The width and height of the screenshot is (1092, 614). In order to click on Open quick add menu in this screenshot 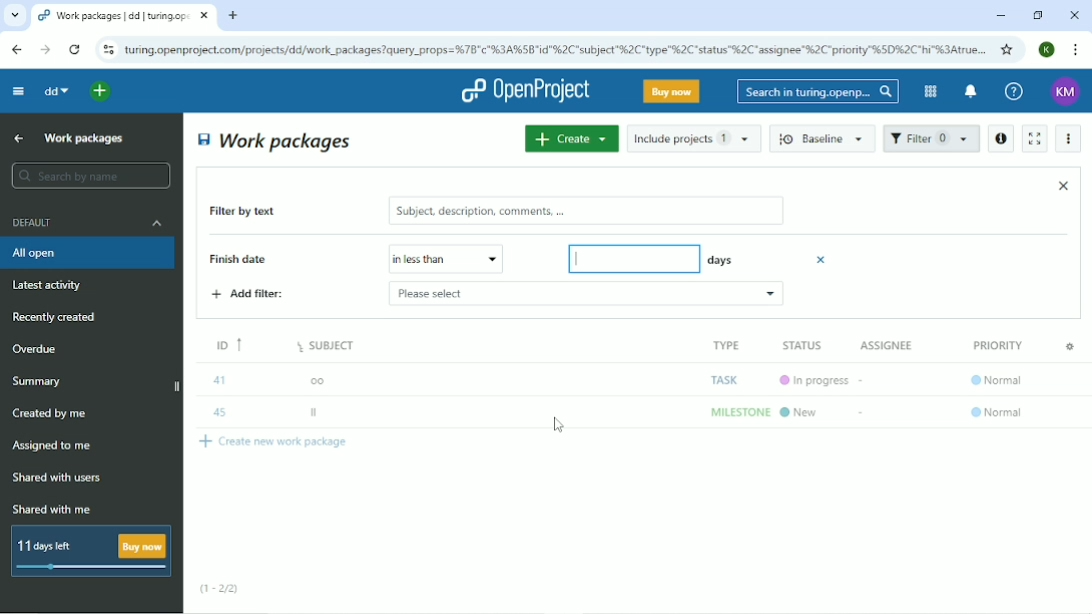, I will do `click(101, 91)`.